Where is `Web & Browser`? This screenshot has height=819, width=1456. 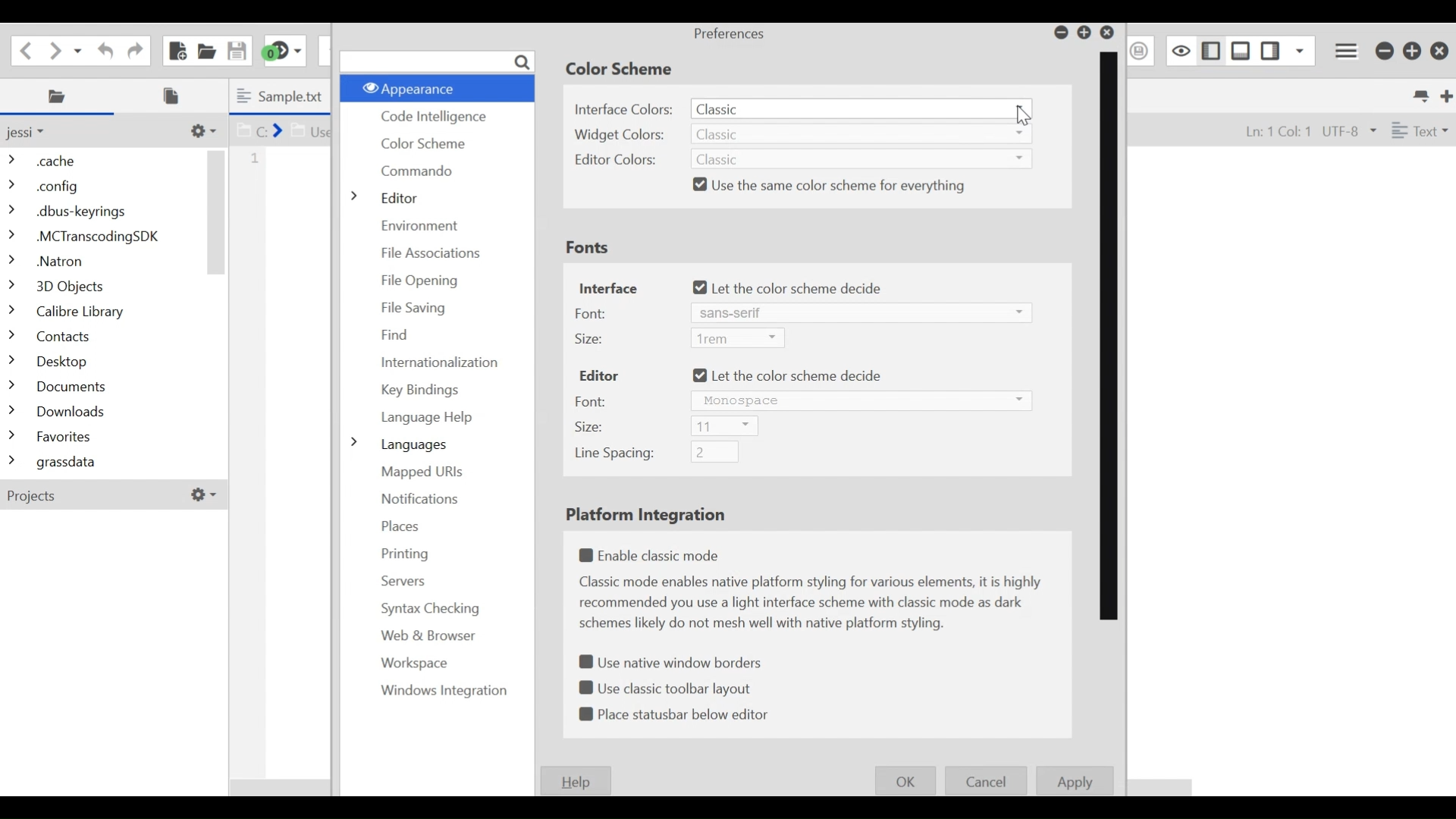
Web & Browser is located at coordinates (425, 635).